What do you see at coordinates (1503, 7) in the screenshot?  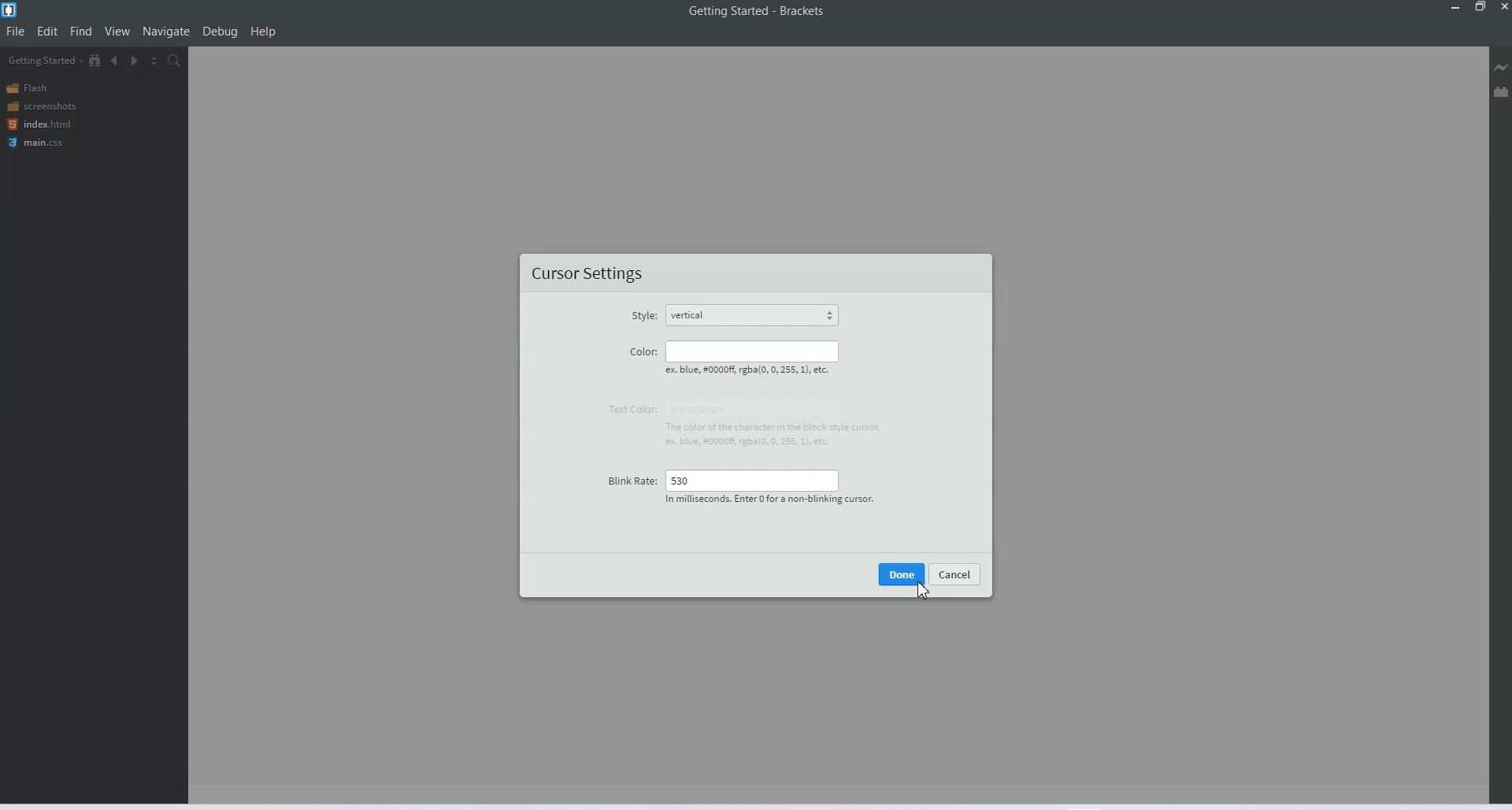 I see `Close` at bounding box center [1503, 7].